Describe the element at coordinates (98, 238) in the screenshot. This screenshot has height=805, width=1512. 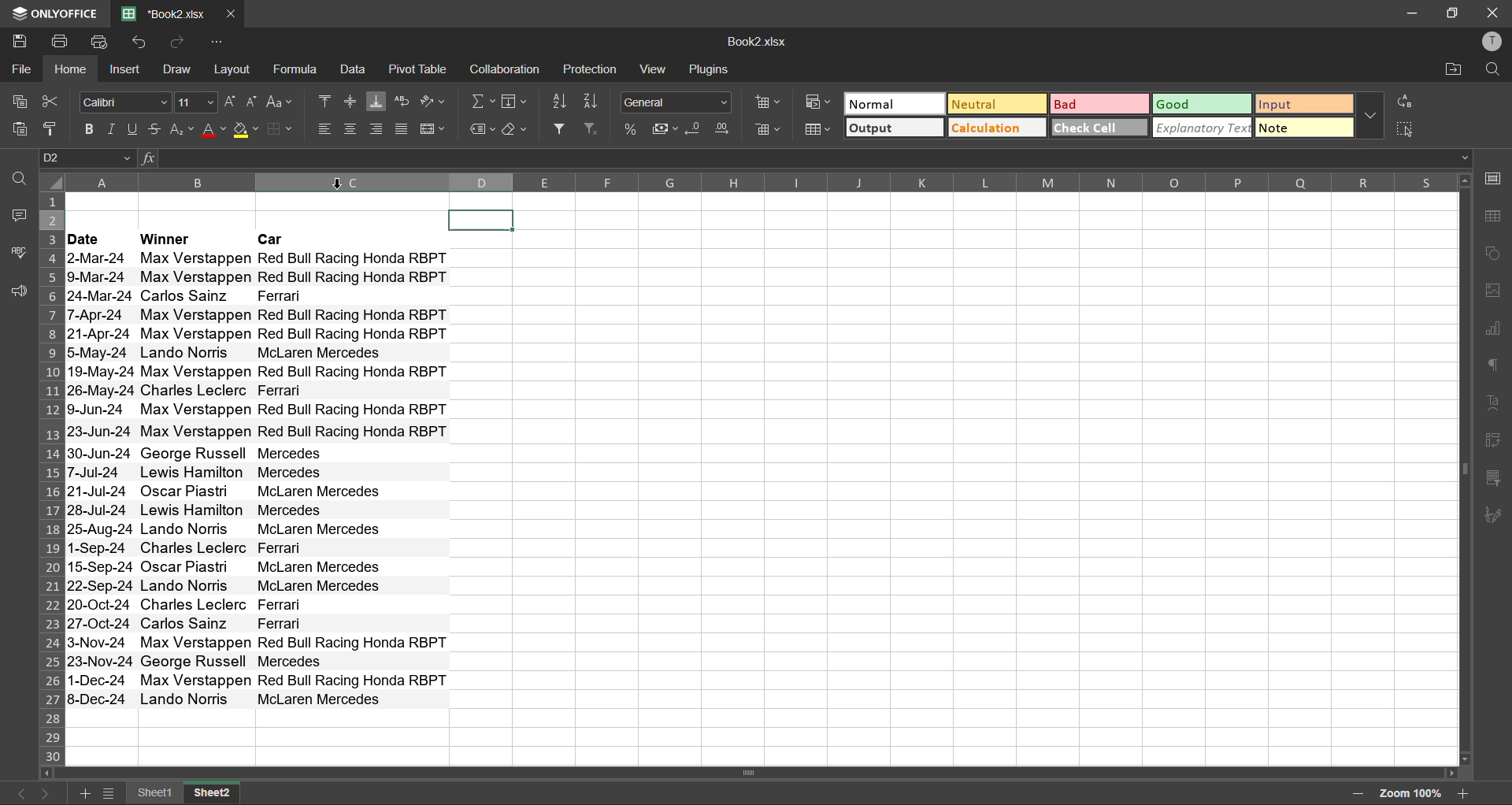
I see `date` at that location.